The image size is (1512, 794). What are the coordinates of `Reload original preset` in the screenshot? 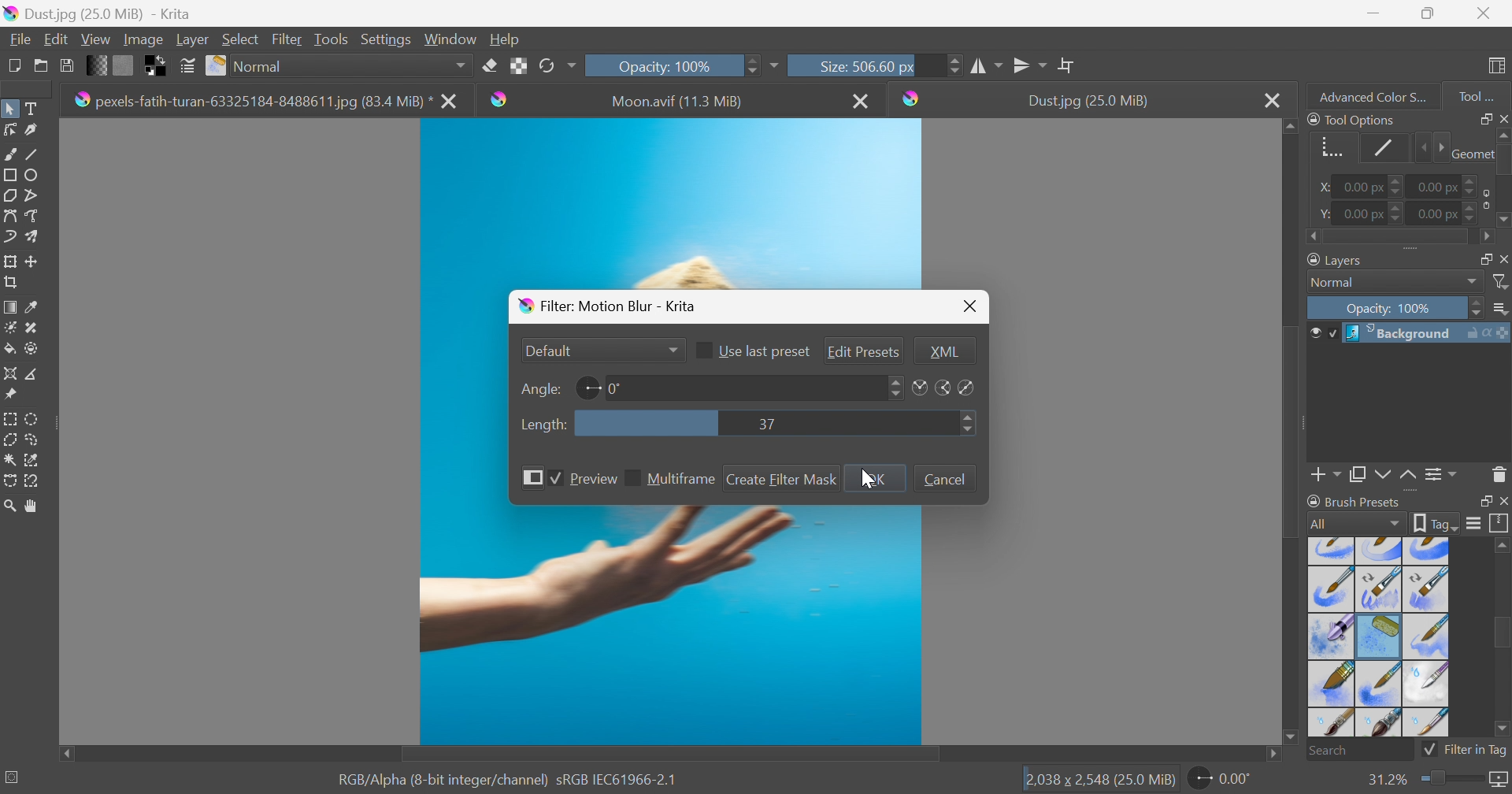 It's located at (557, 64).